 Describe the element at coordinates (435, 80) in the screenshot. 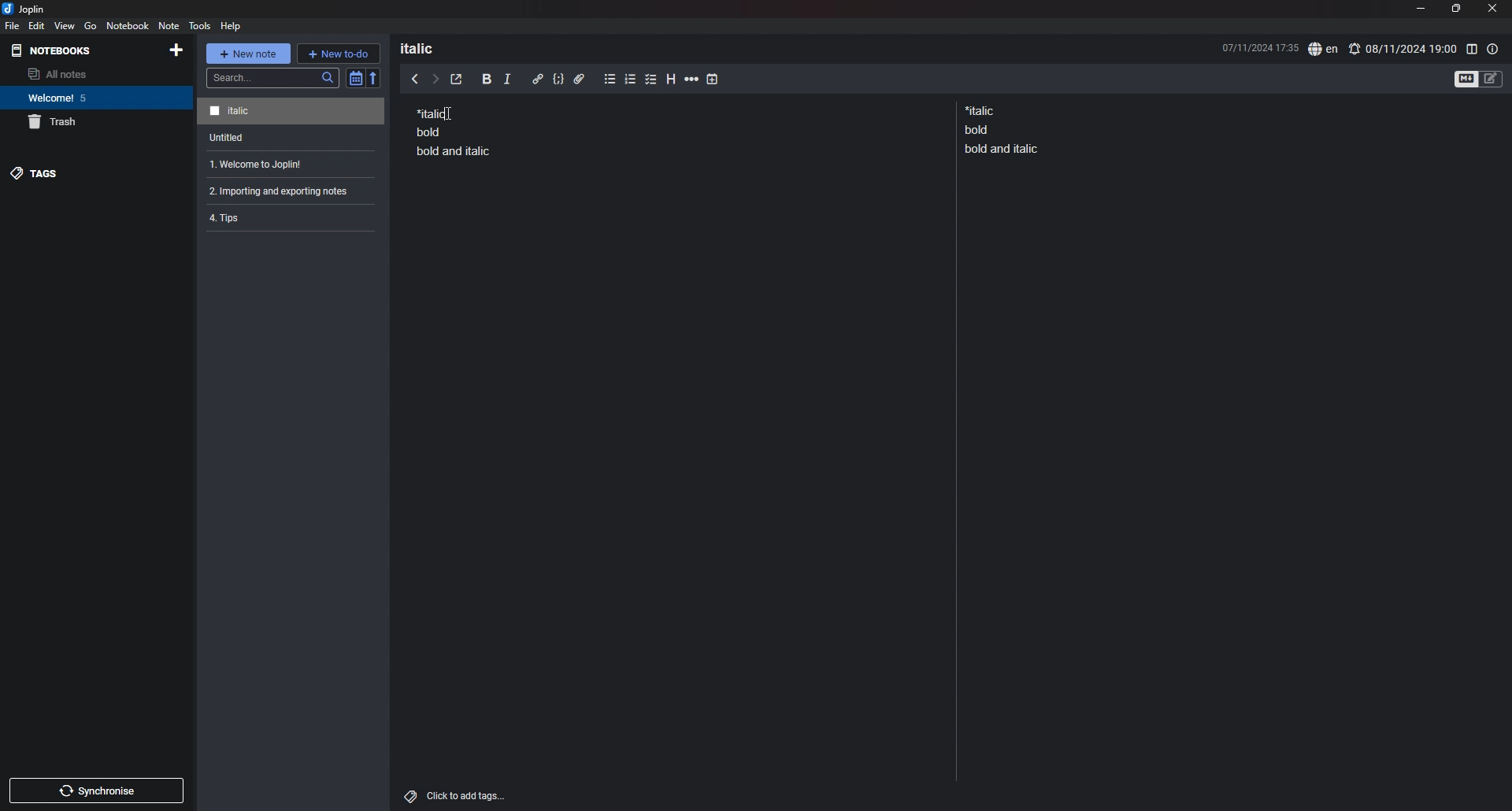

I see `next` at that location.